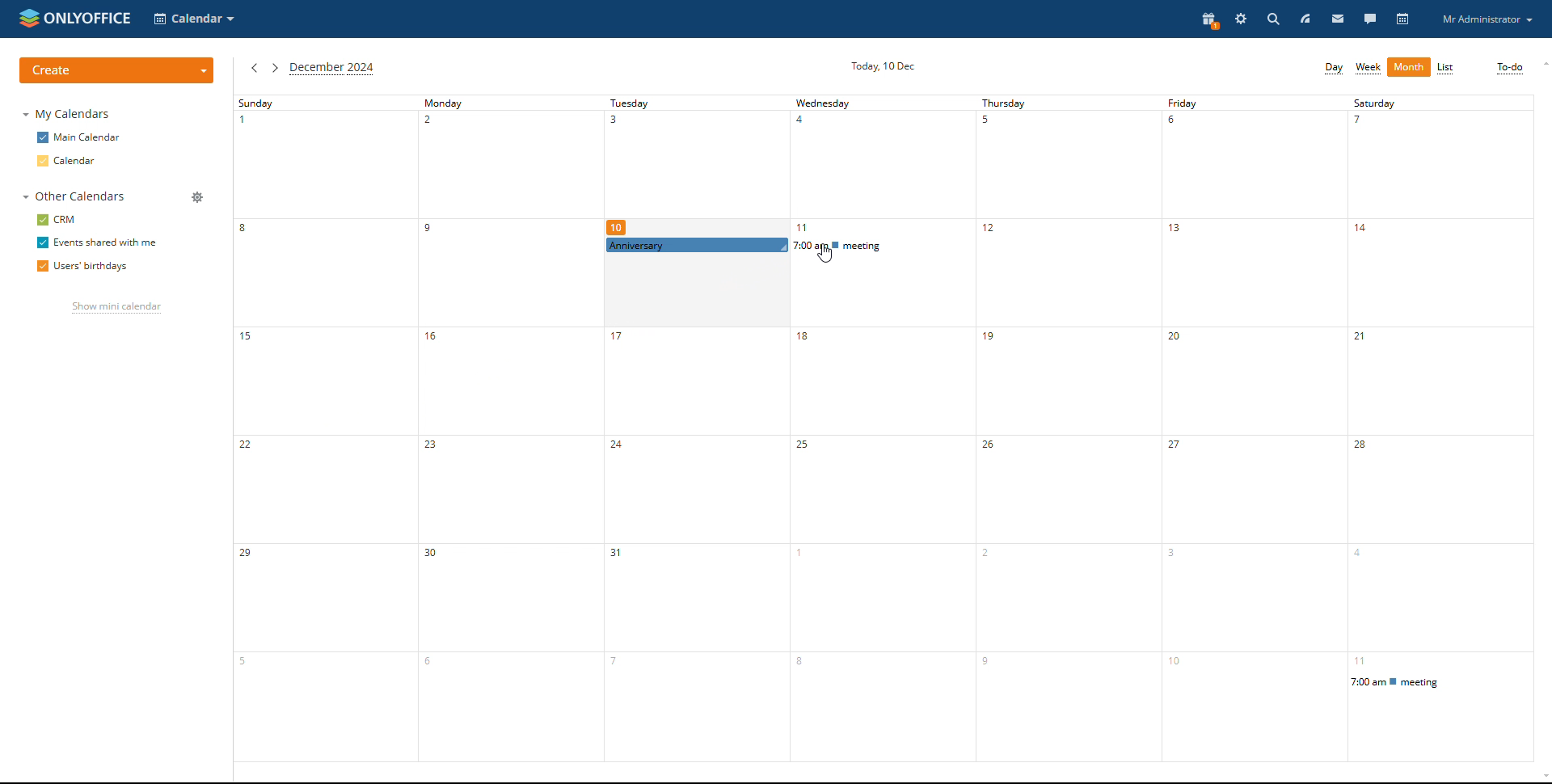  What do you see at coordinates (1486, 19) in the screenshot?
I see `profile` at bounding box center [1486, 19].